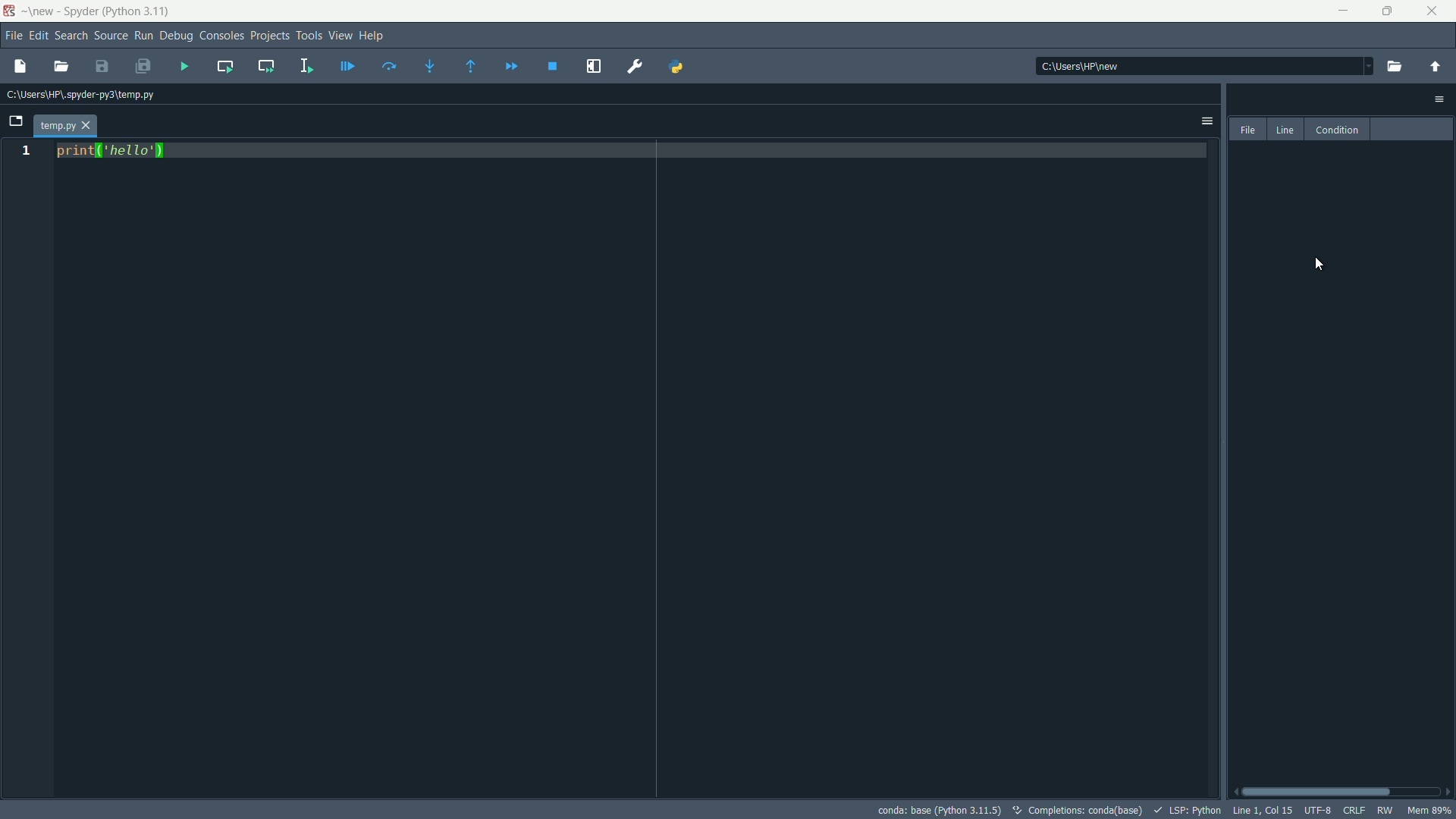  I want to click on line 1, col 15, so click(1261, 811).